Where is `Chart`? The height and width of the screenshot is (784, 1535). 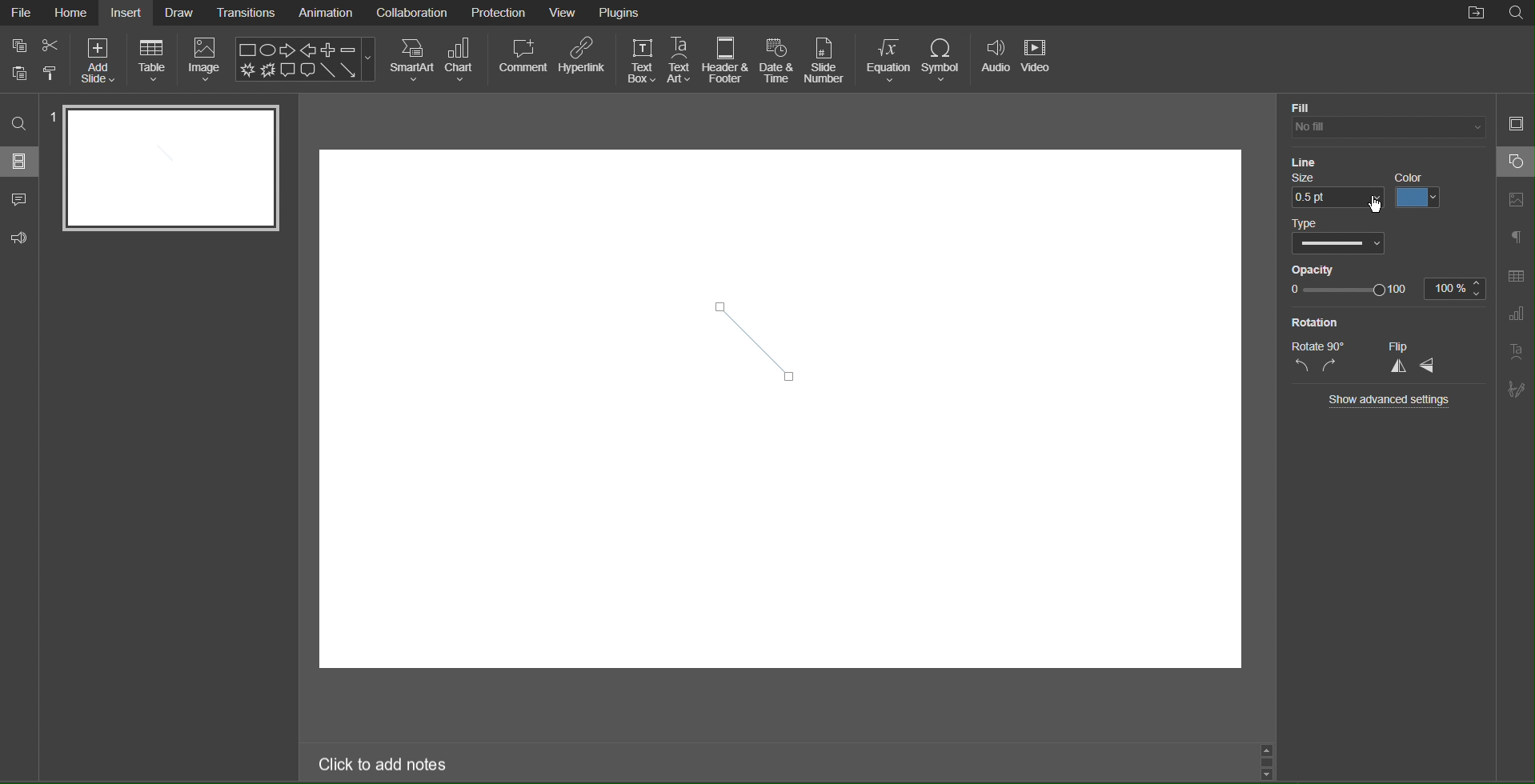
Chart is located at coordinates (465, 61).